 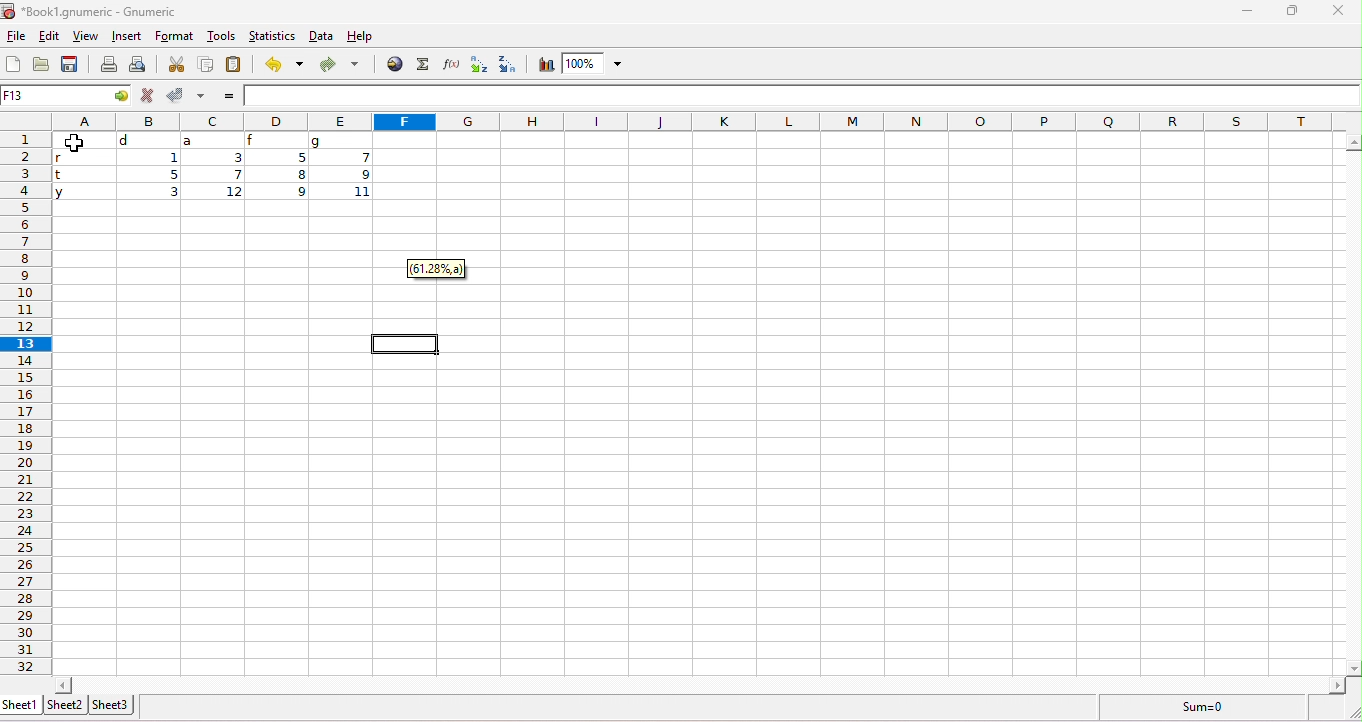 What do you see at coordinates (1202, 709) in the screenshot?
I see `formula` at bounding box center [1202, 709].